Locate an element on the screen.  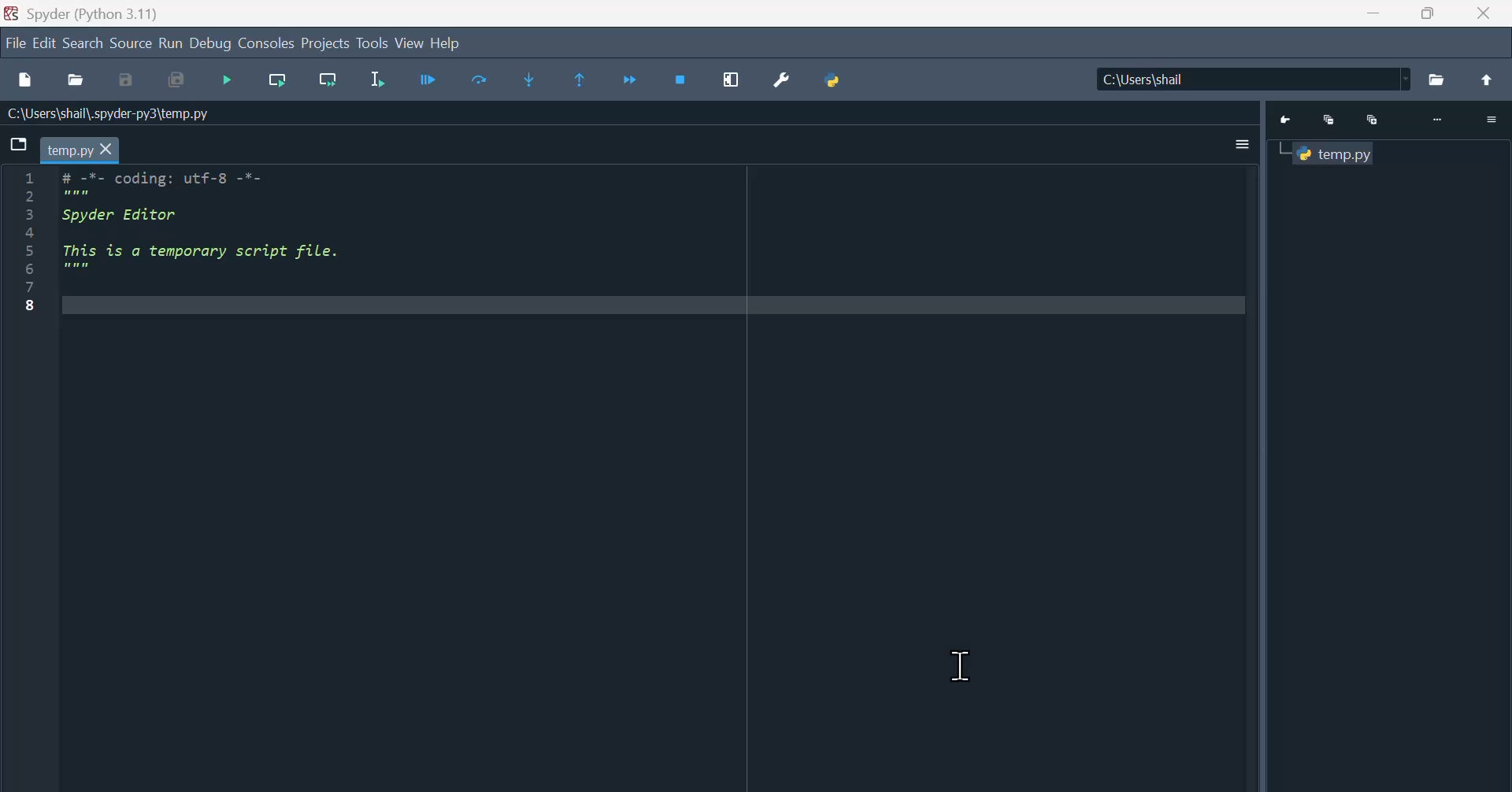
Settings is located at coordinates (1492, 120).